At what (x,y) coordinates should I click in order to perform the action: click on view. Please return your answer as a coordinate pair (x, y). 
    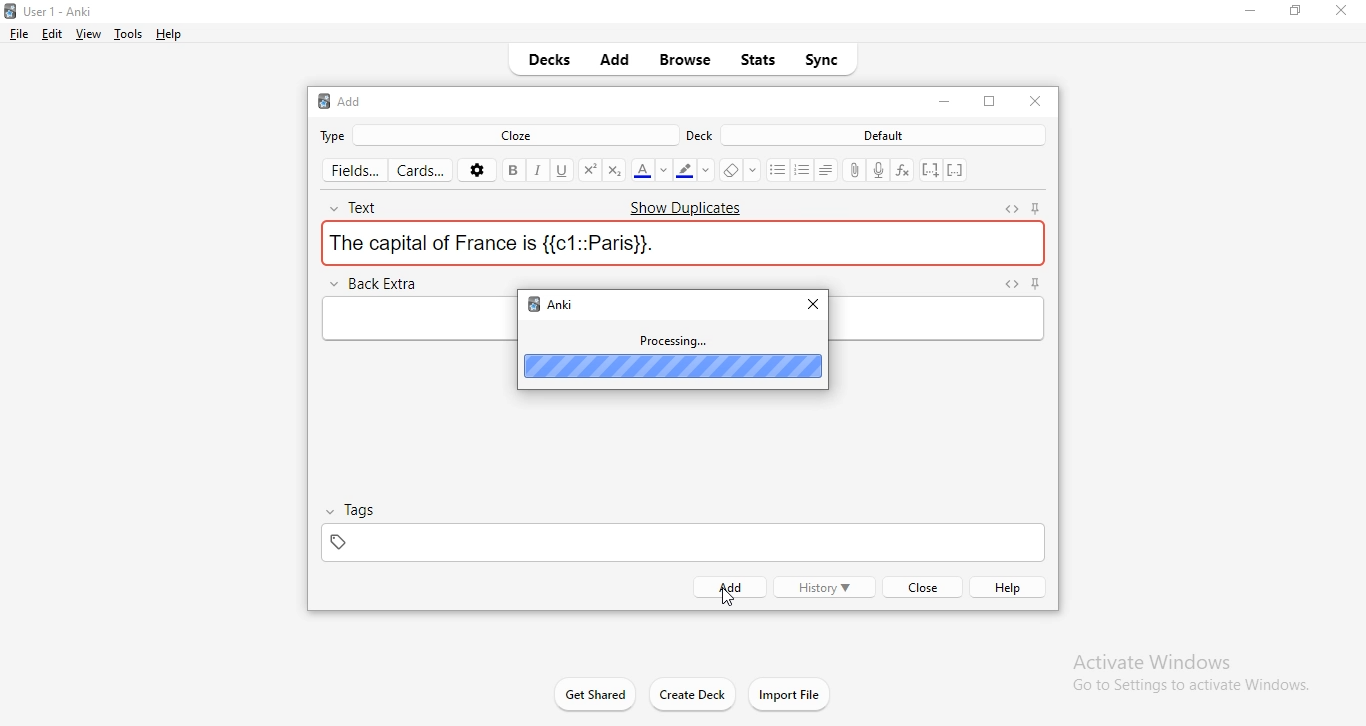
    Looking at the image, I should click on (89, 34).